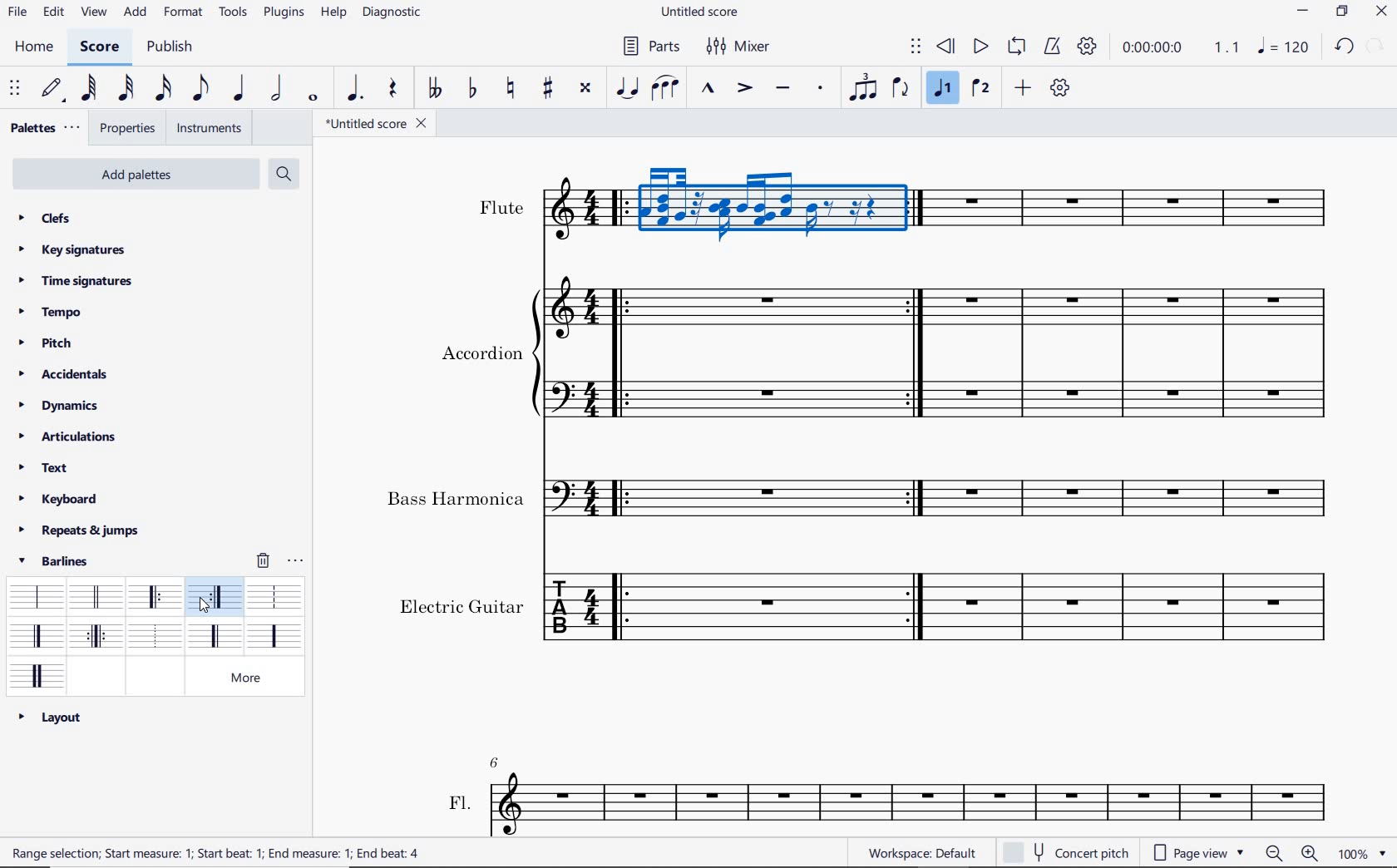  I want to click on HOME, so click(35, 49).